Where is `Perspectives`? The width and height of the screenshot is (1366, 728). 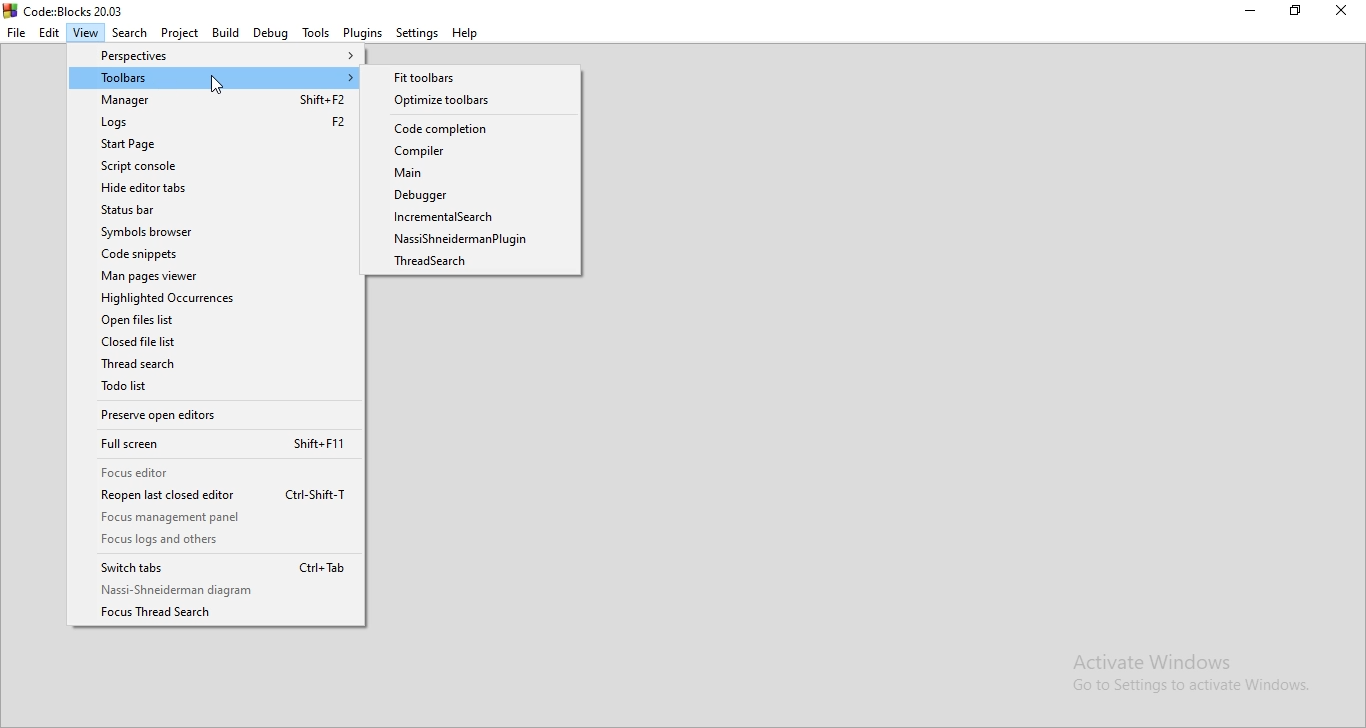
Perspectives is located at coordinates (216, 57).